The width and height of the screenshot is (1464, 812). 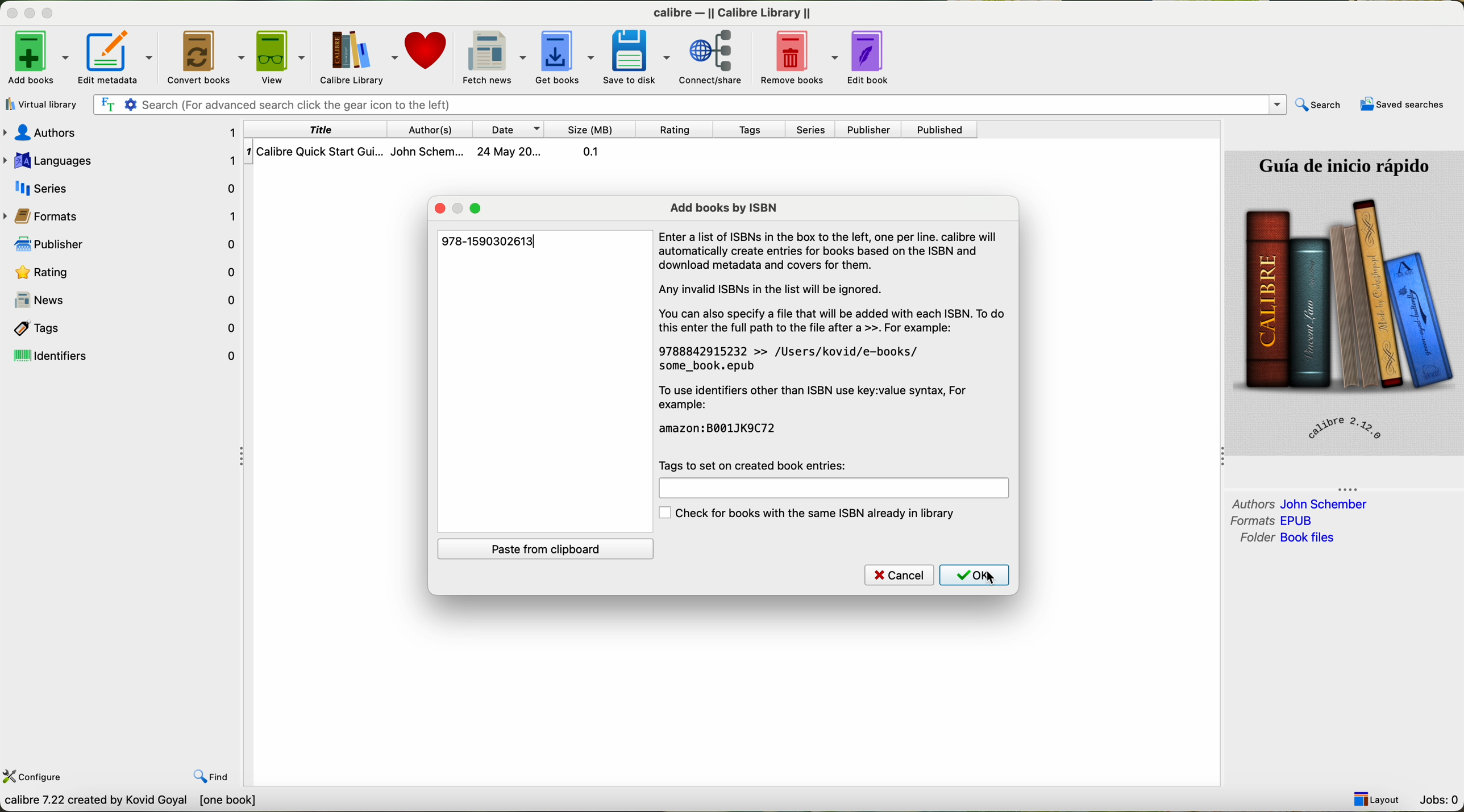 What do you see at coordinates (343, 129) in the screenshot?
I see `title` at bounding box center [343, 129].